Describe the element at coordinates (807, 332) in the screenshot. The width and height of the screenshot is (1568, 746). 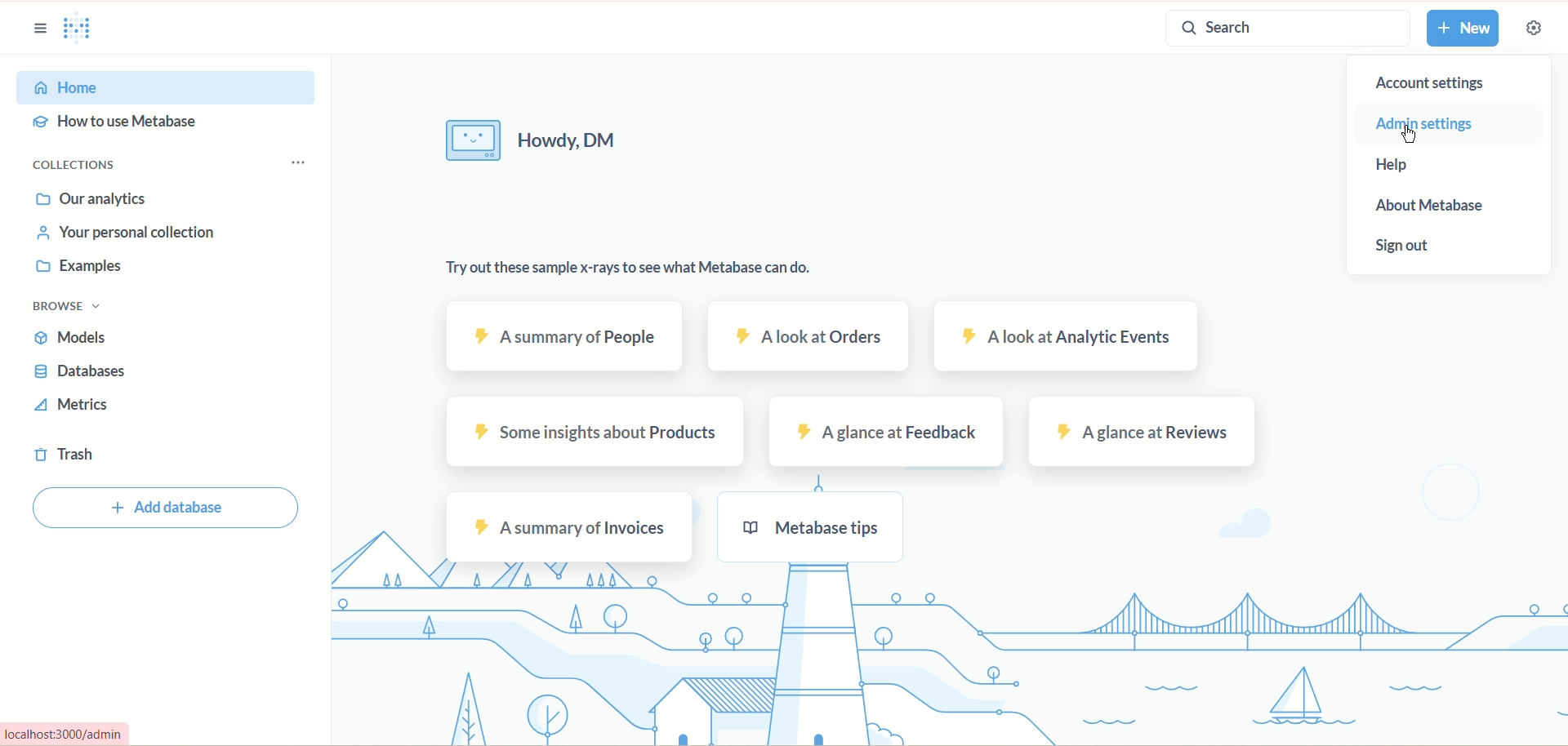
I see `a look at orders` at that location.